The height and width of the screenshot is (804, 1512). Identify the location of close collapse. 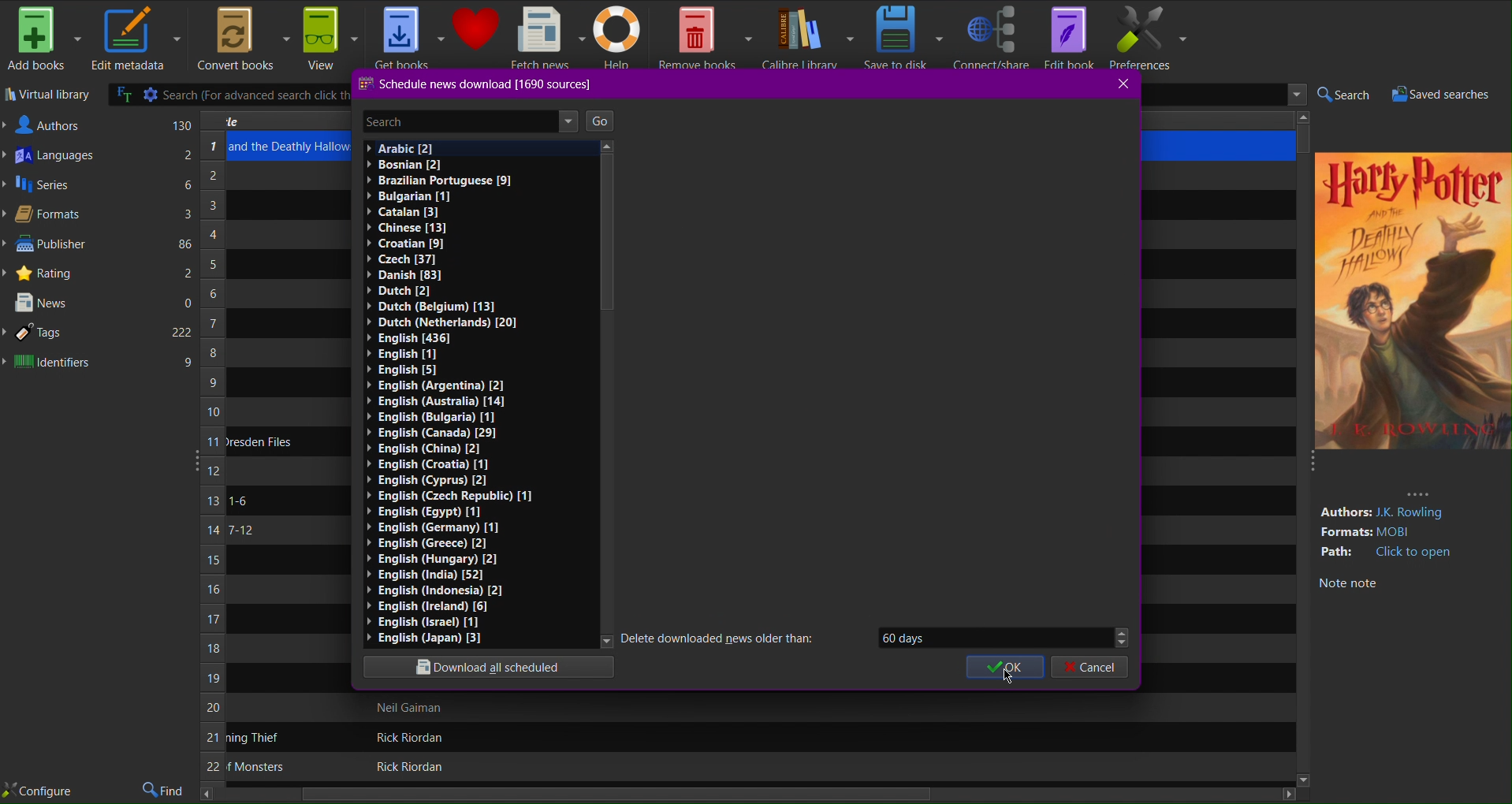
(1309, 466).